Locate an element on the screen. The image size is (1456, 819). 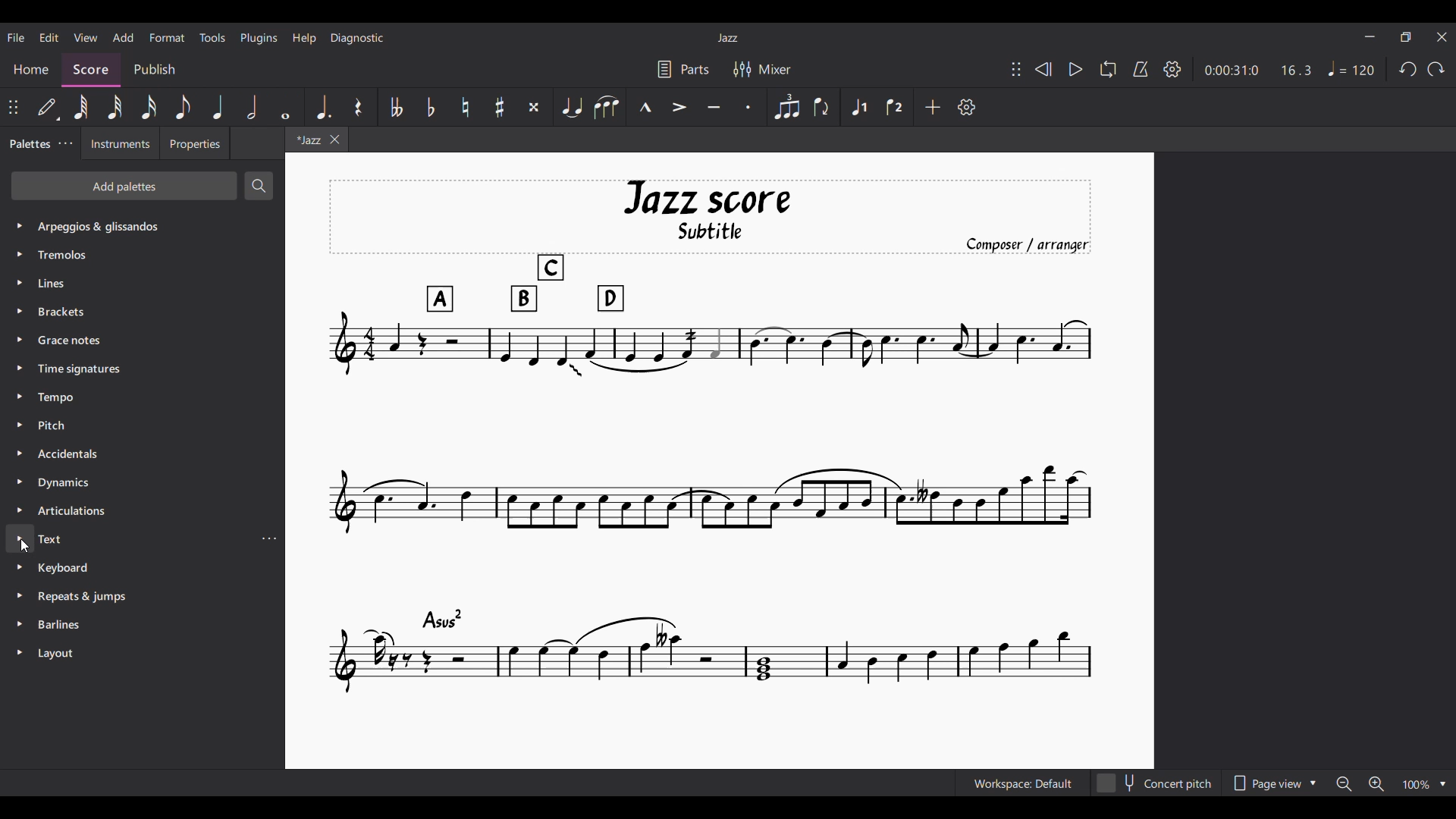
Current score title is located at coordinates (728, 38).